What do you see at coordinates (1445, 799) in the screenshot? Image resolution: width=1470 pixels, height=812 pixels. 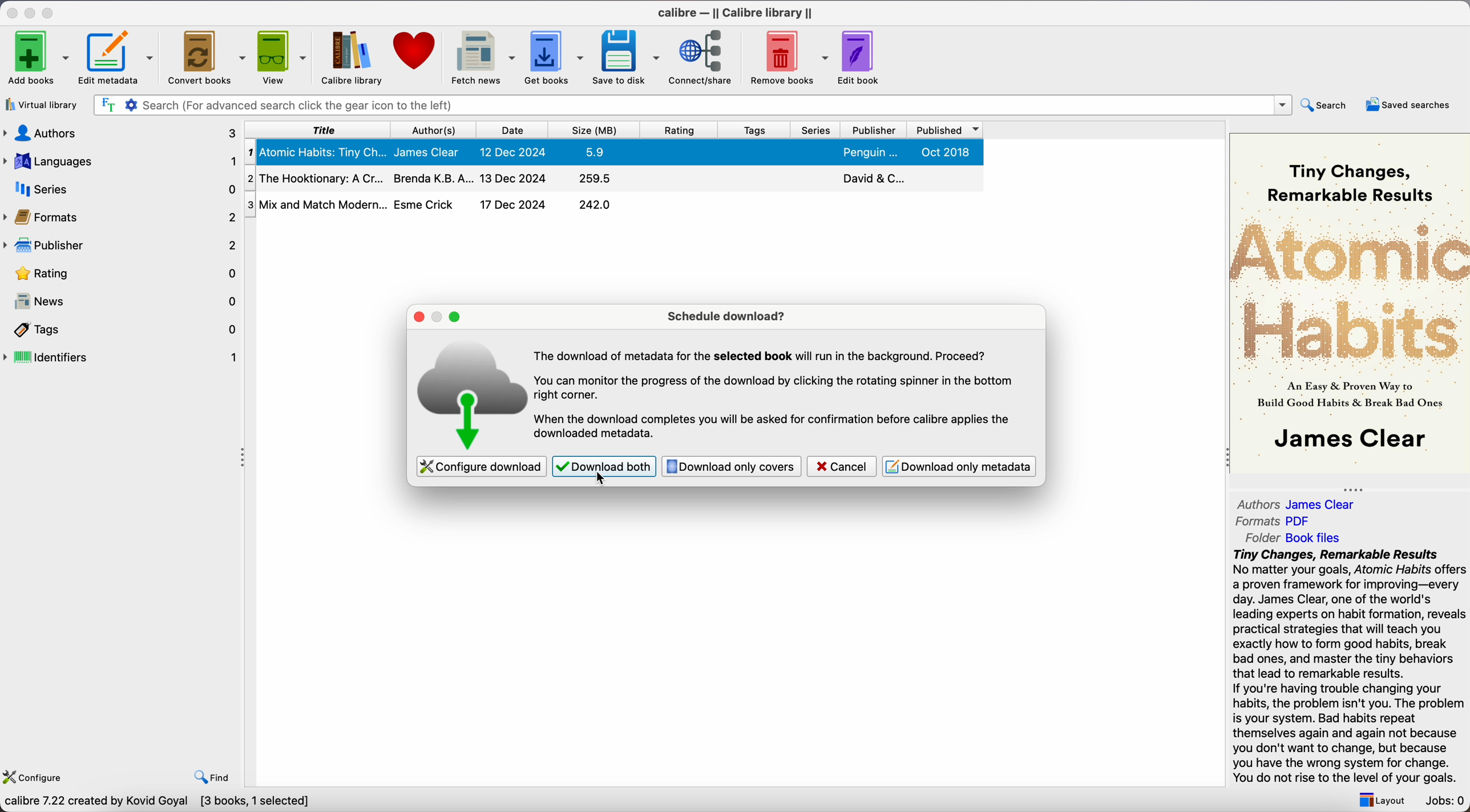 I see `Jobs: 0` at bounding box center [1445, 799].